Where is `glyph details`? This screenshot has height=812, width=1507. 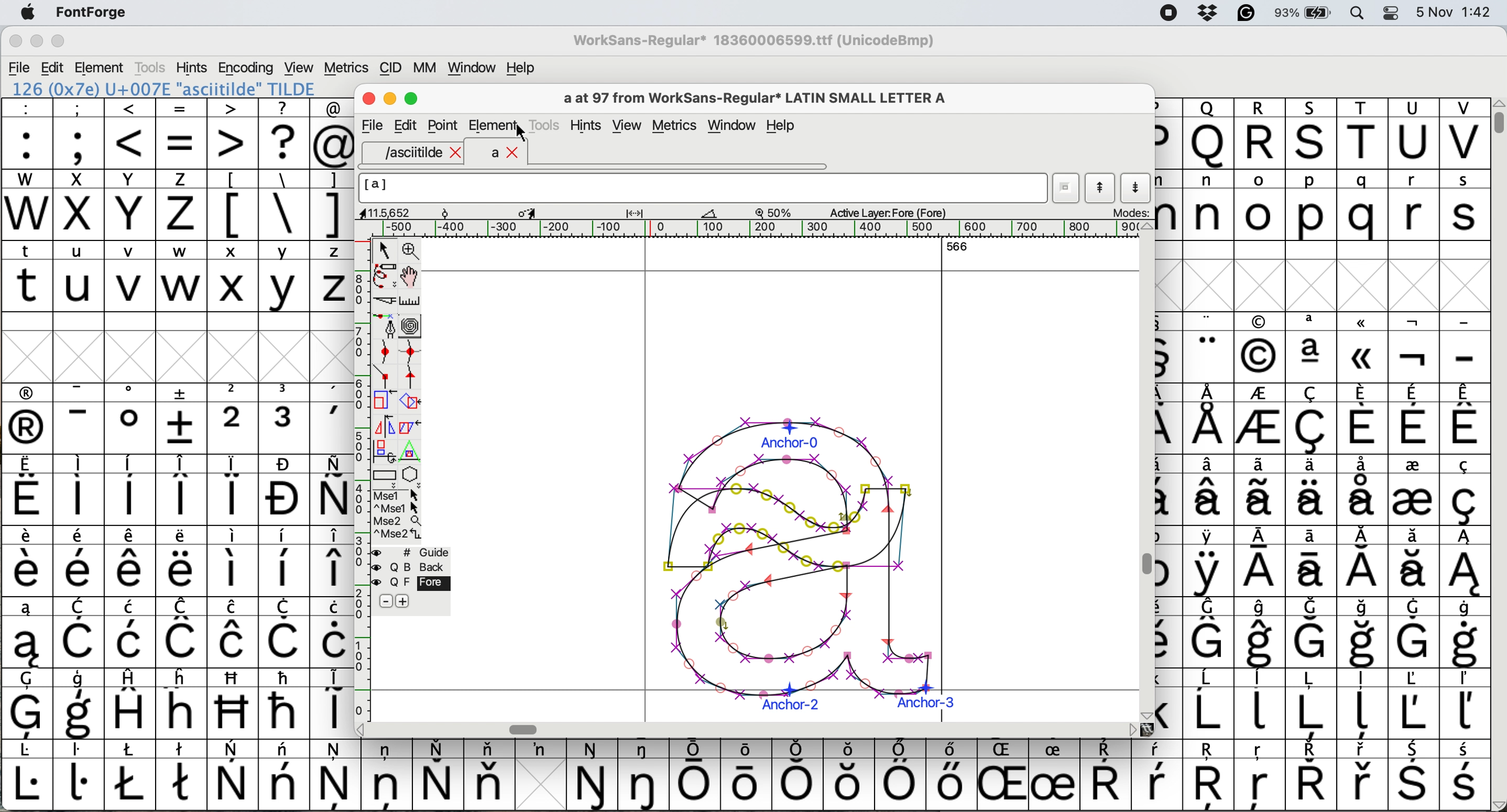
glyph details is located at coordinates (546, 212).